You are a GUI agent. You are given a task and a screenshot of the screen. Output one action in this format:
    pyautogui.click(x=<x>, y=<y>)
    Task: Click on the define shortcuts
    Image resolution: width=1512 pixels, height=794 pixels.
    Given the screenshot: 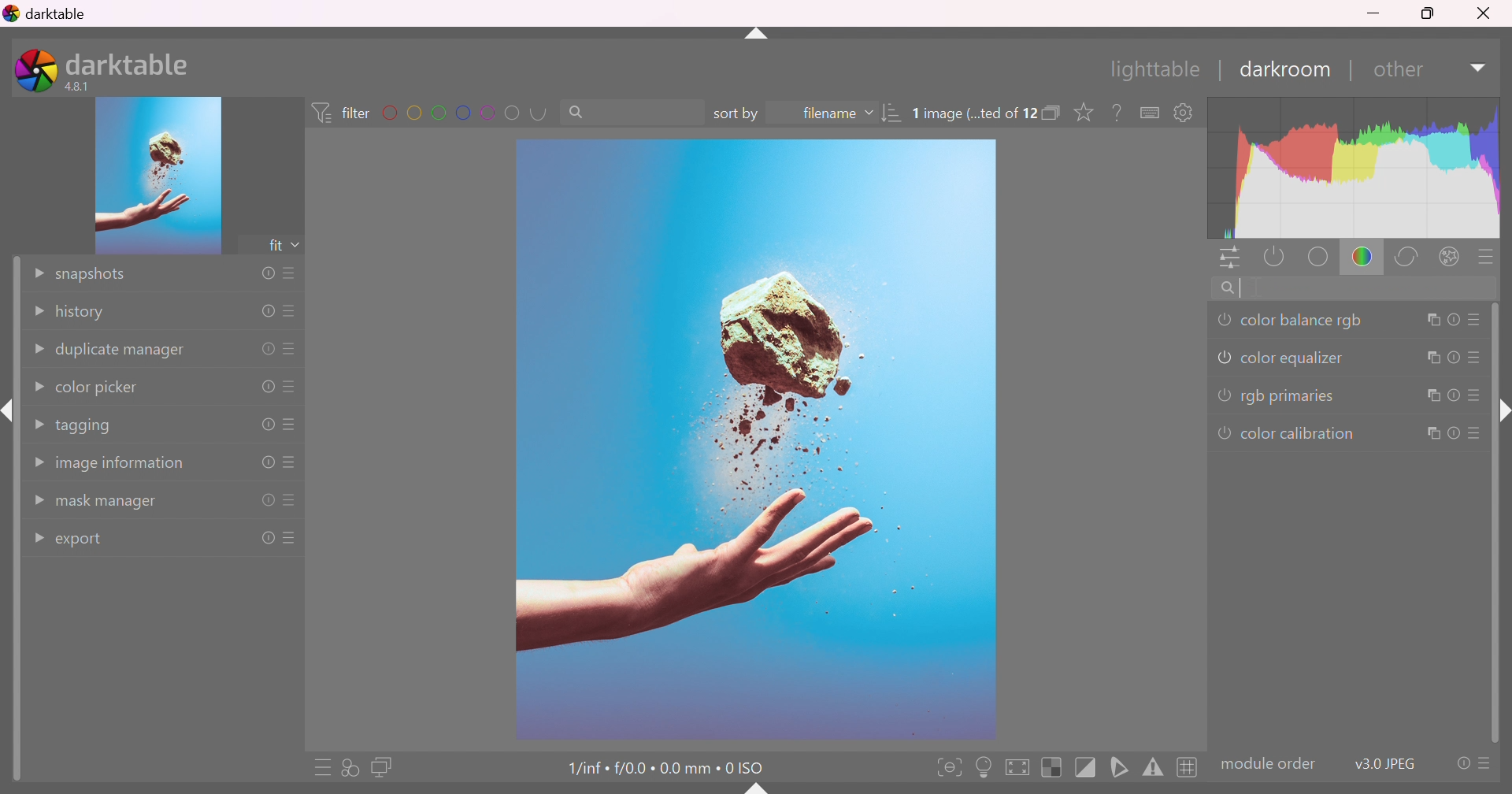 What is the action you would take?
    pyautogui.click(x=1150, y=114)
    